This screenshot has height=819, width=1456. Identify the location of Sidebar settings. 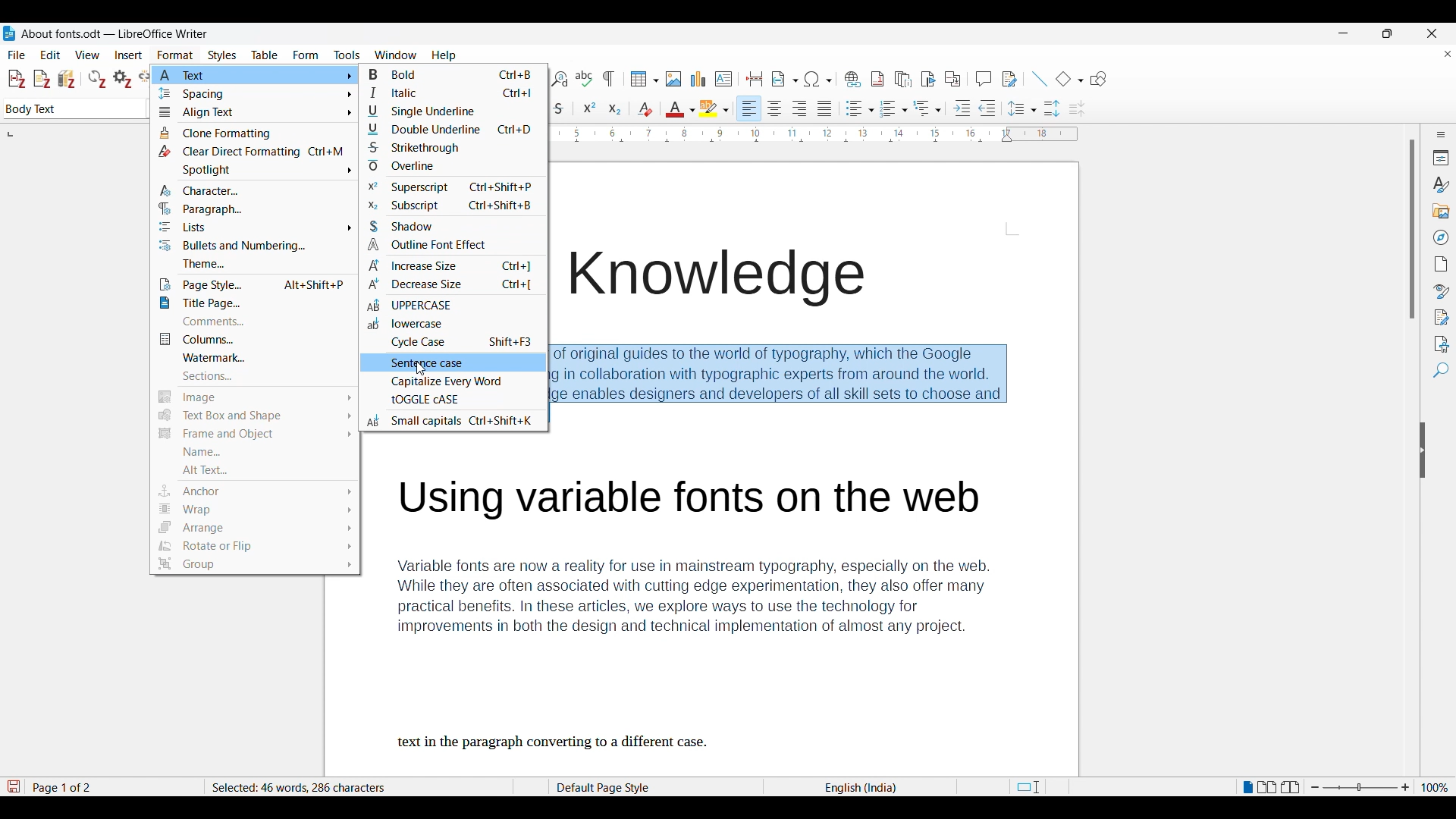
(1442, 134).